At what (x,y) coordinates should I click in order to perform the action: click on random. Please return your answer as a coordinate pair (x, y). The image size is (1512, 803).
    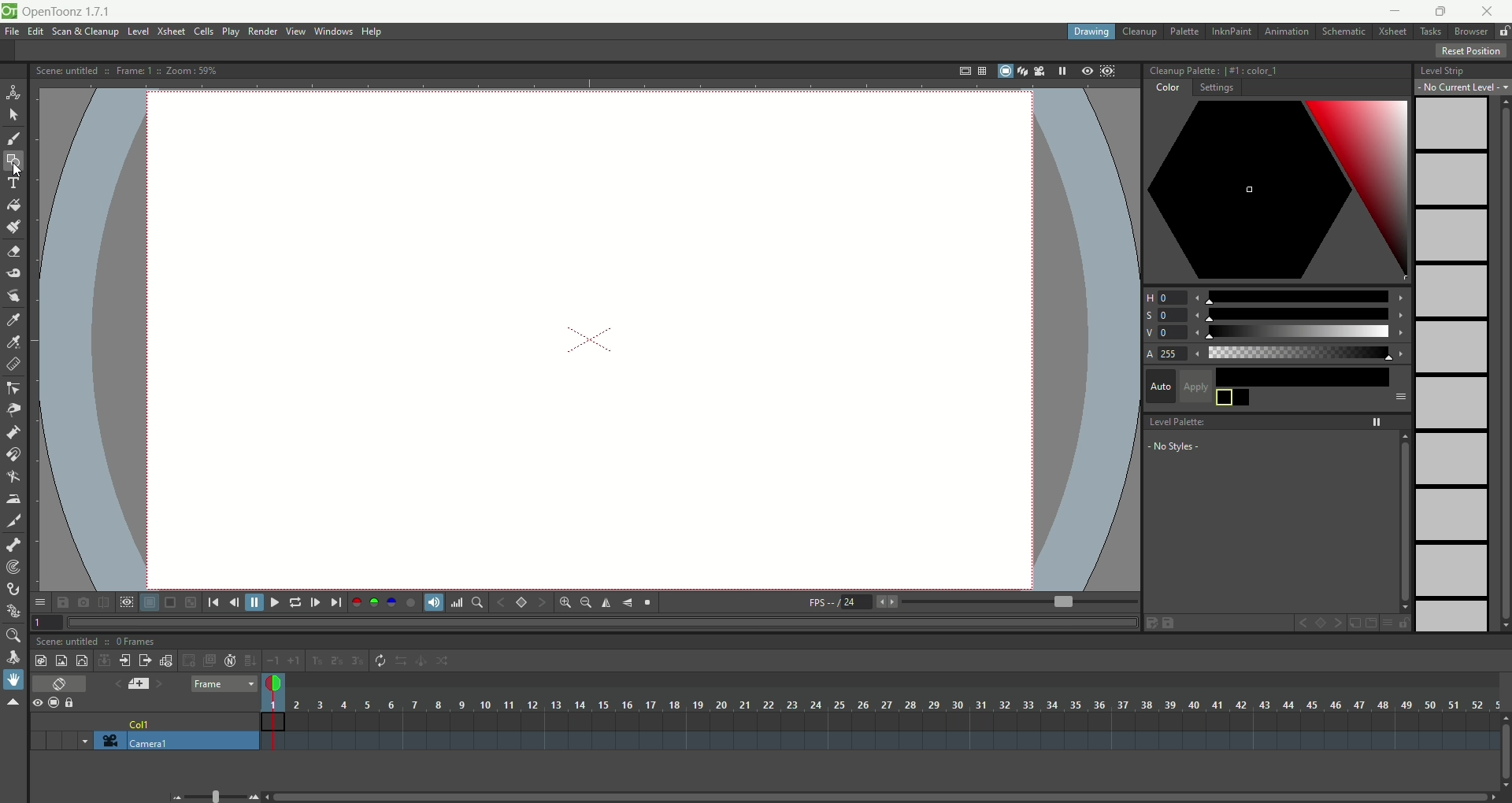
    Looking at the image, I should click on (447, 663).